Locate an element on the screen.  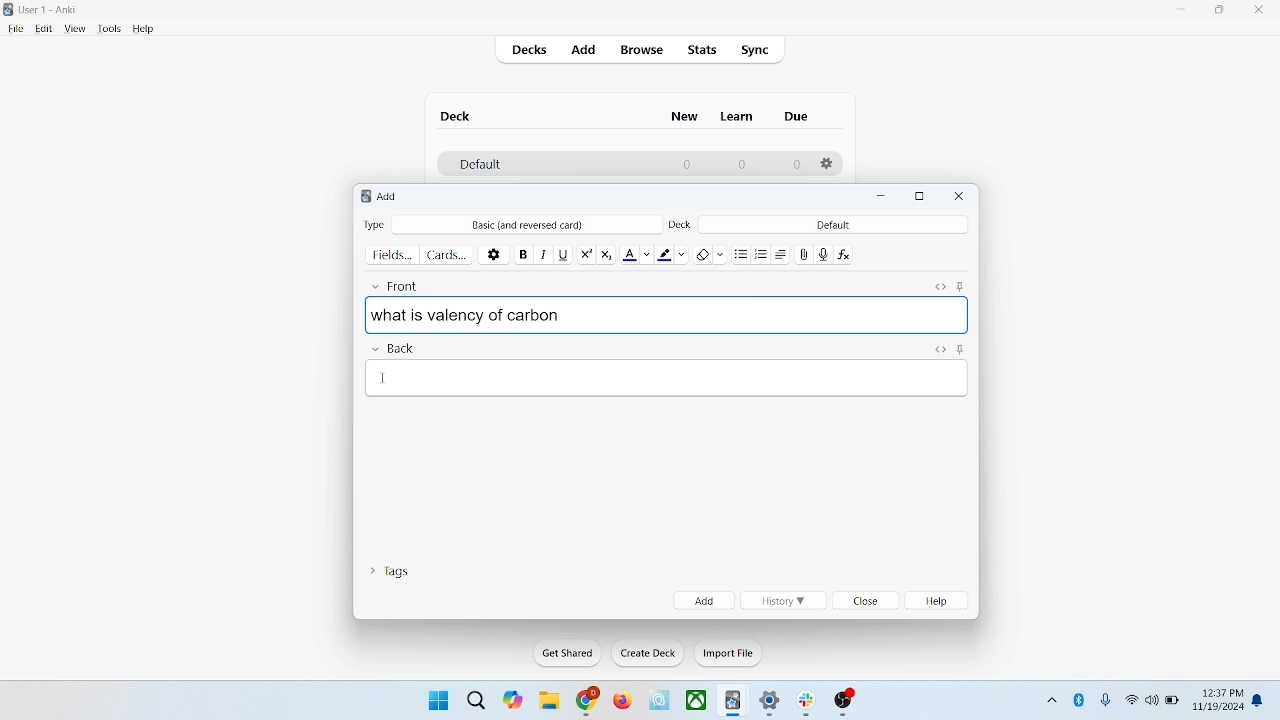
settings is located at coordinates (771, 704).